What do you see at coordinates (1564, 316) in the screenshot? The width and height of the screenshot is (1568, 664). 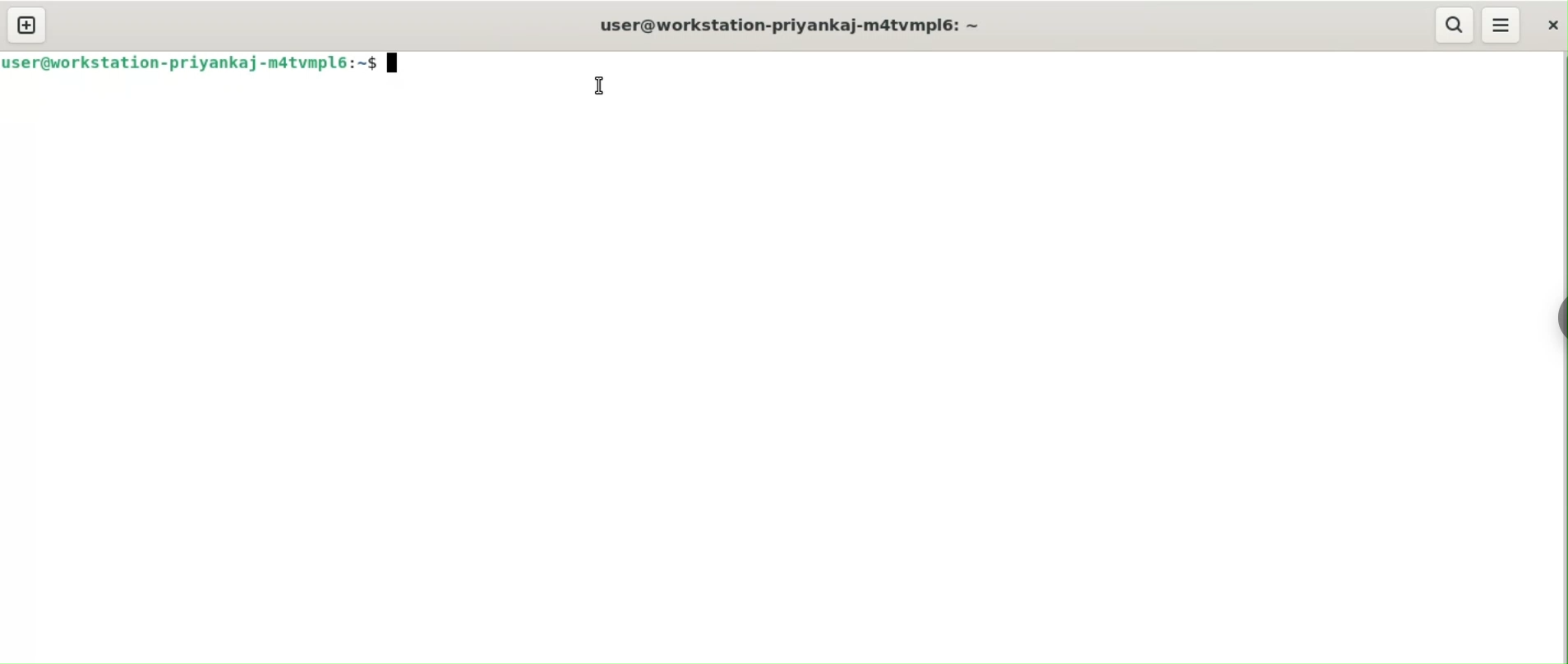 I see `sidebar` at bounding box center [1564, 316].